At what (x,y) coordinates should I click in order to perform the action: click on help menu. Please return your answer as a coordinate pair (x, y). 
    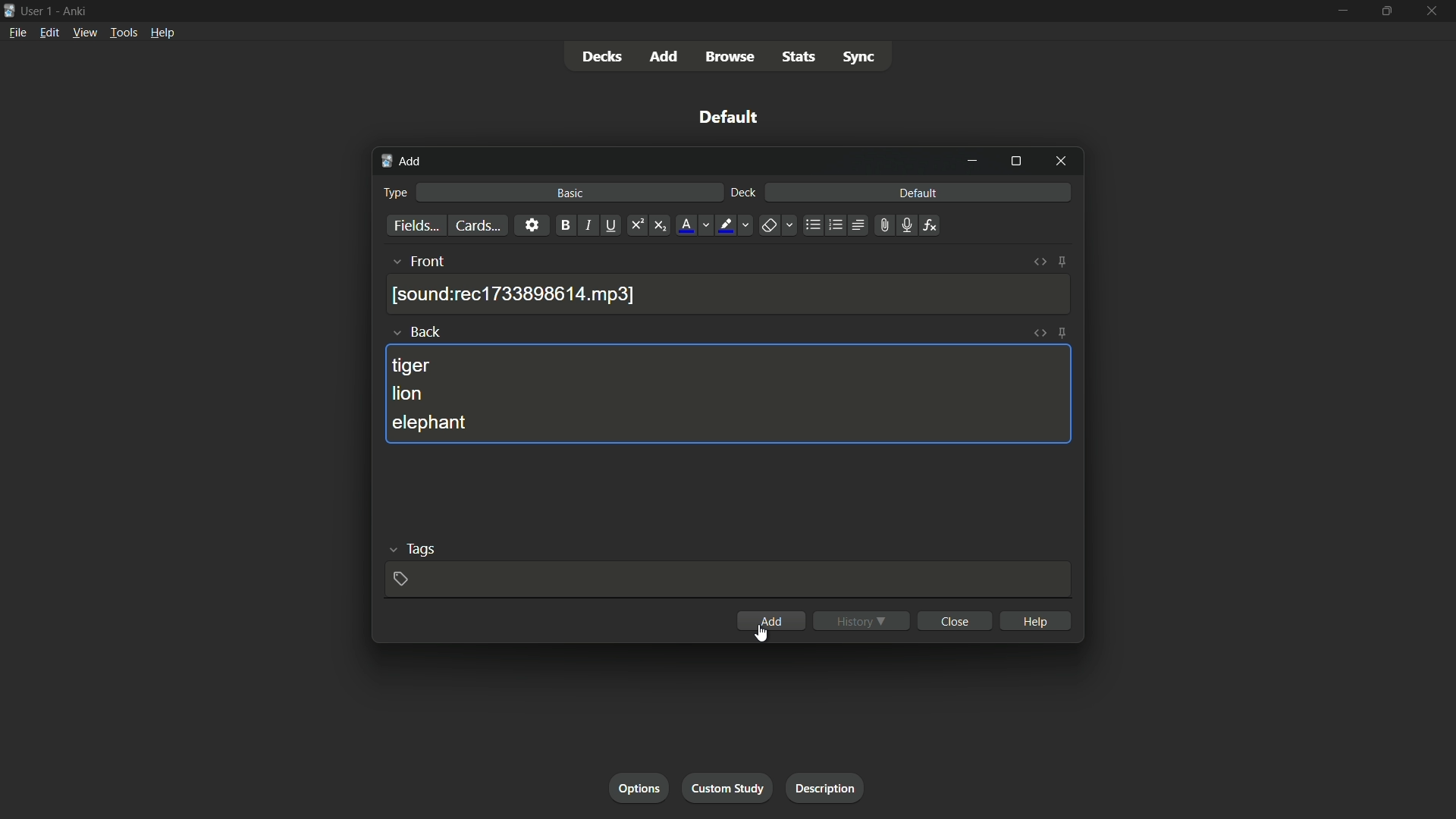
    Looking at the image, I should click on (162, 33).